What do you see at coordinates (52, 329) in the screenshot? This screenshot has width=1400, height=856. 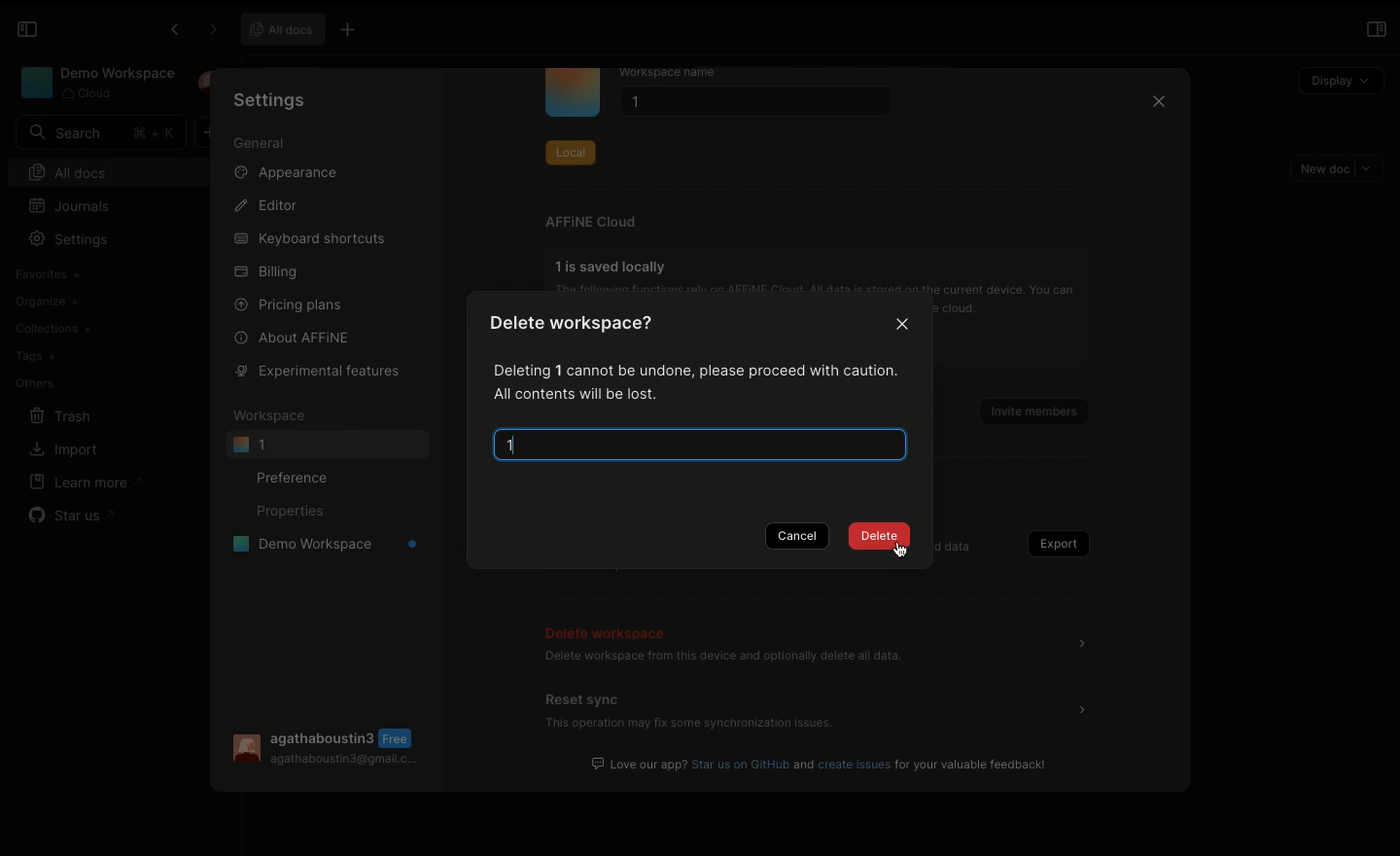 I see `Collections` at bounding box center [52, 329].